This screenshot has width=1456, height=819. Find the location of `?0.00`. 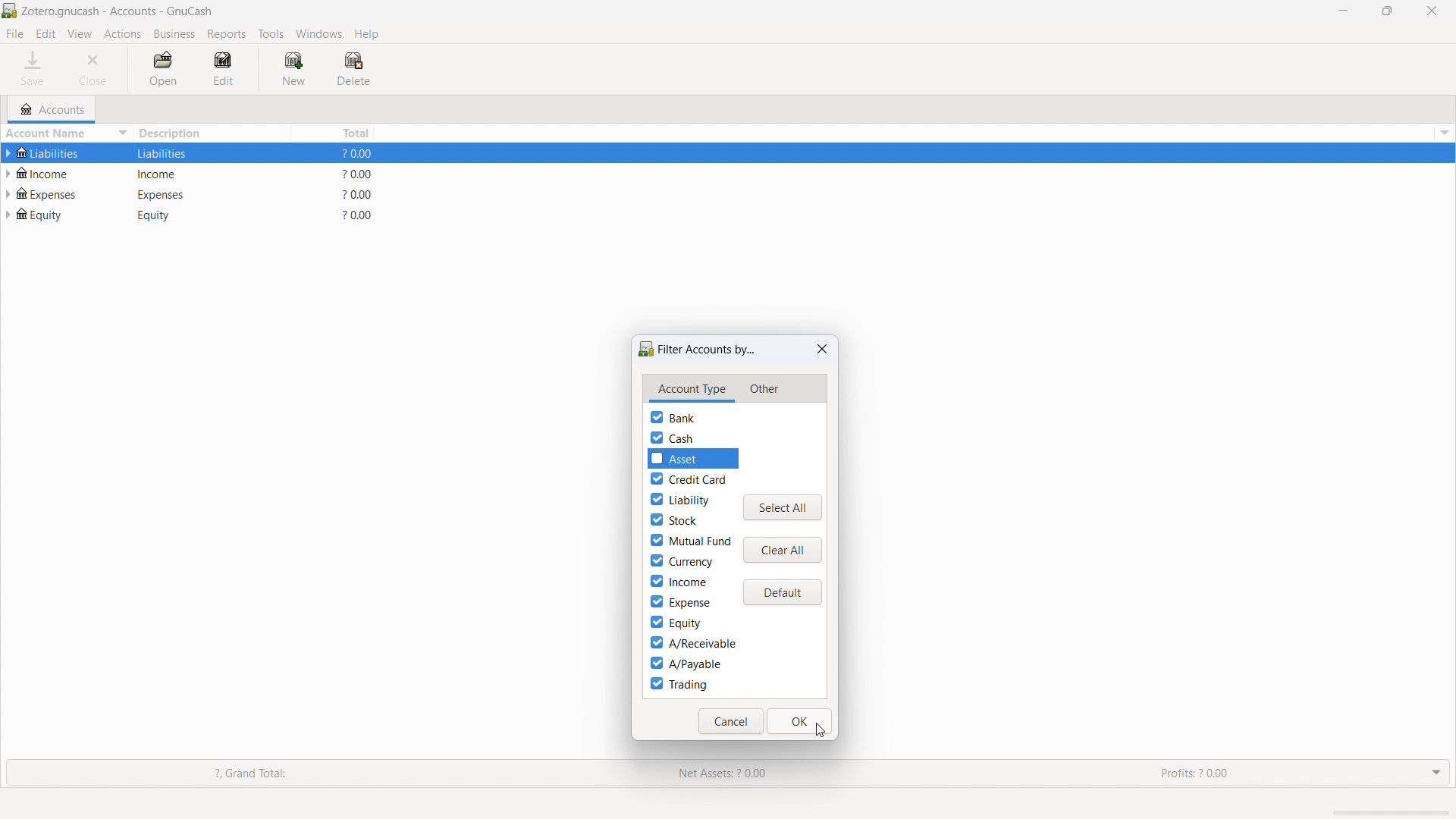

?0.00 is located at coordinates (359, 194).